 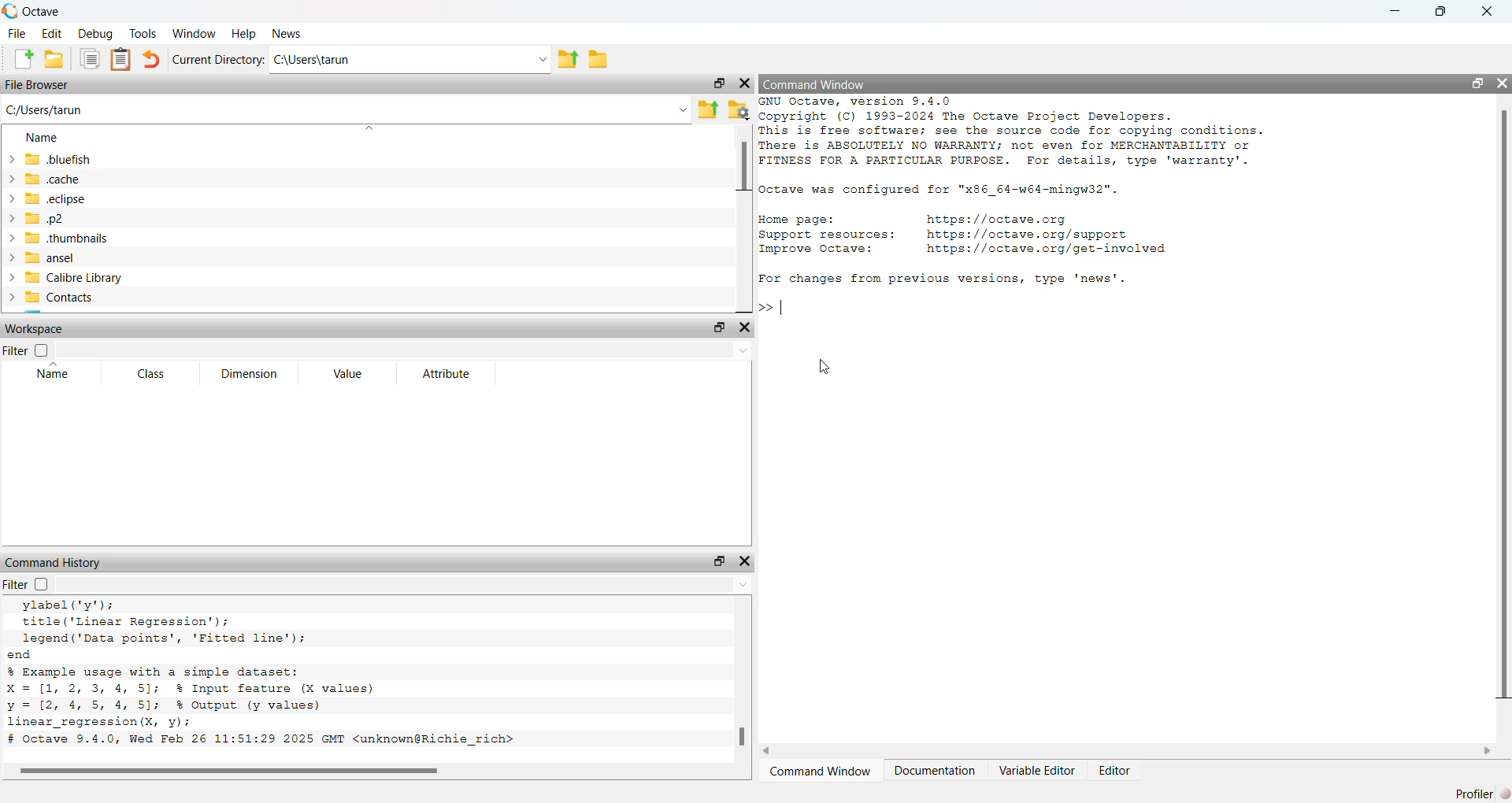 I want to click on .thumbnails, so click(x=98, y=238).